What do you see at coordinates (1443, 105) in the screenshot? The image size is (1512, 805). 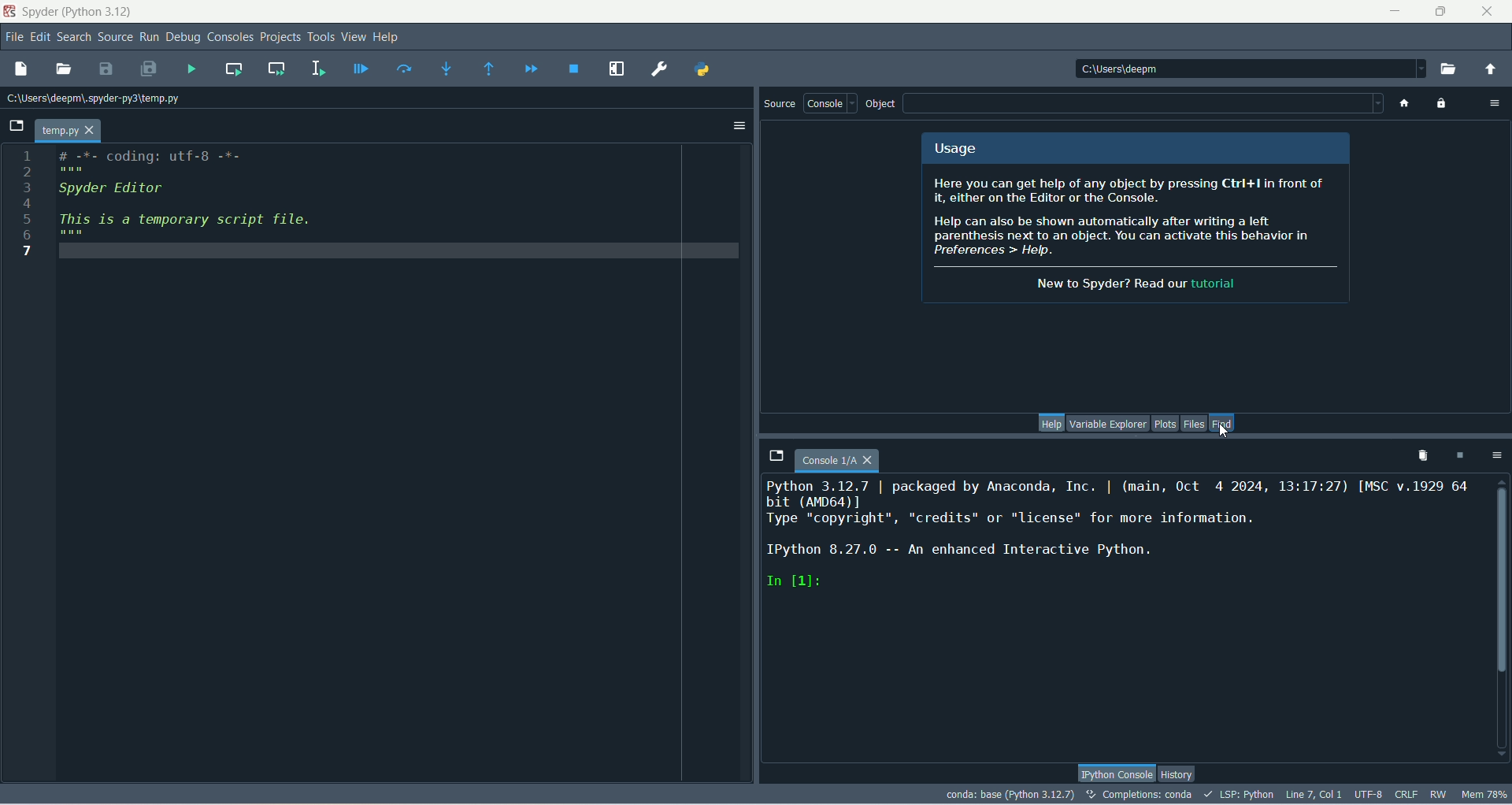 I see `lock` at bounding box center [1443, 105].